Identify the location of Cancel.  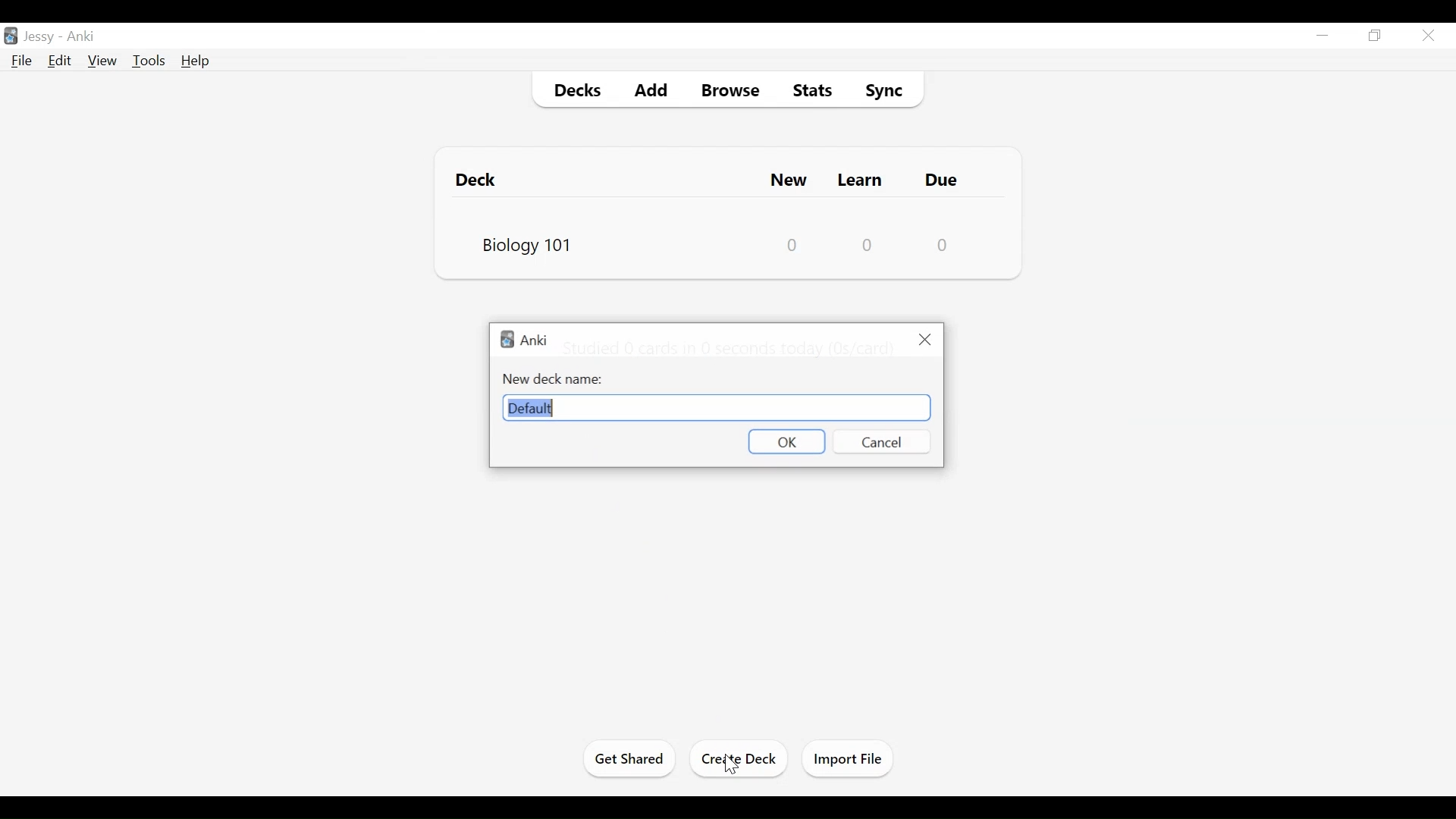
(880, 442).